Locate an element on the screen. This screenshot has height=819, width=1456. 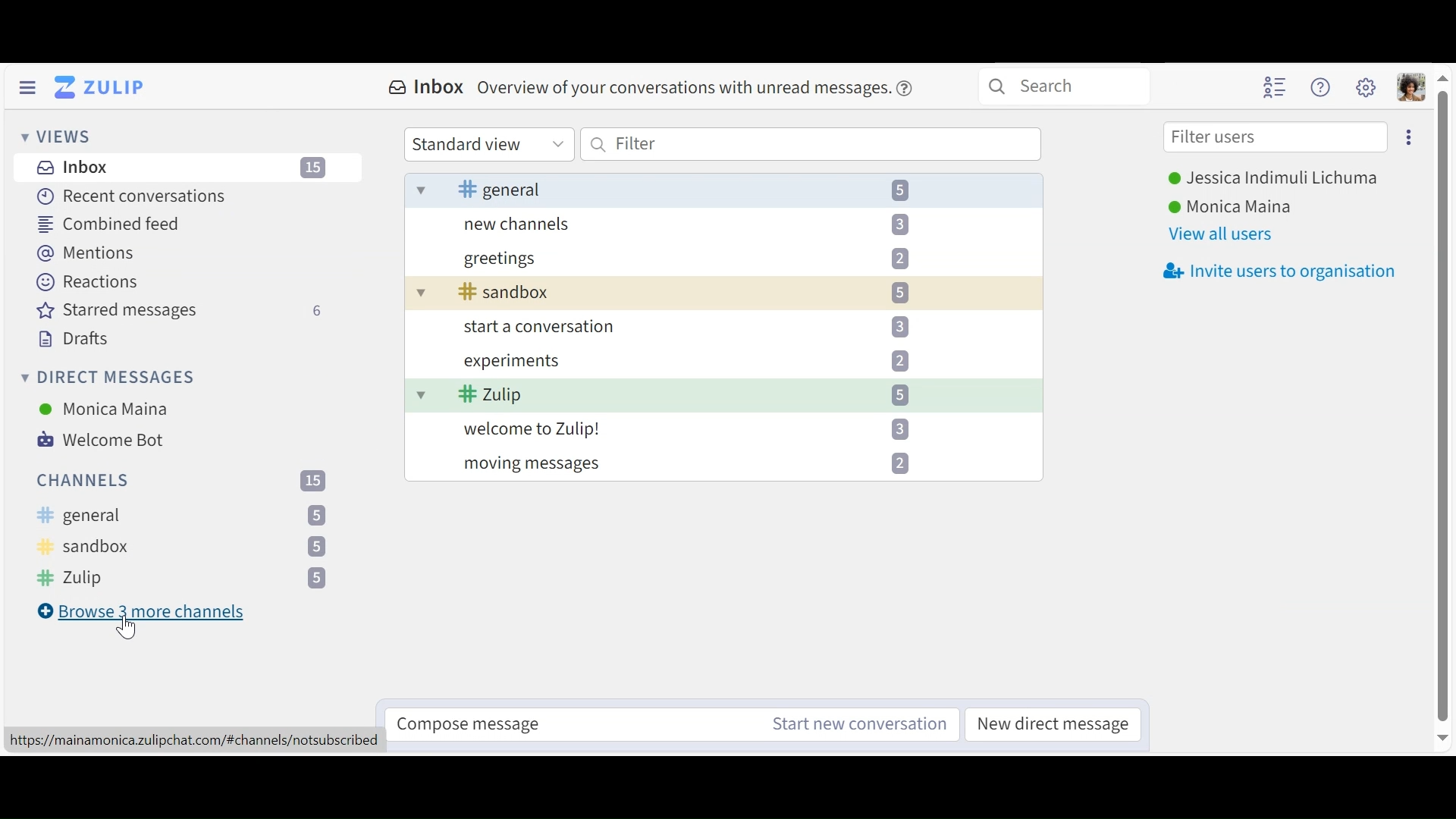
inbox unread messages is located at coordinates (726, 293).